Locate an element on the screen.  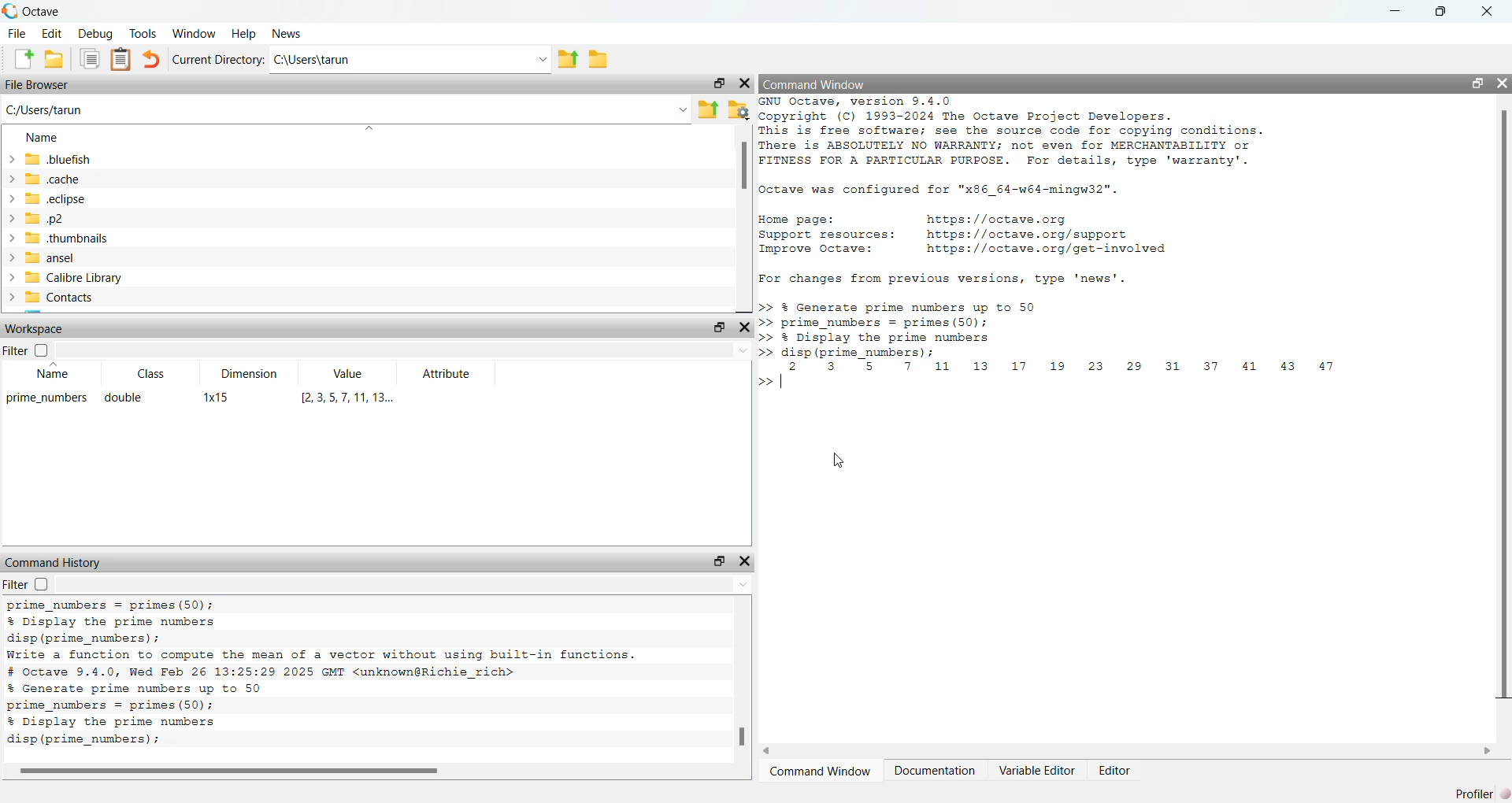
File Browser is located at coordinates (38, 86).